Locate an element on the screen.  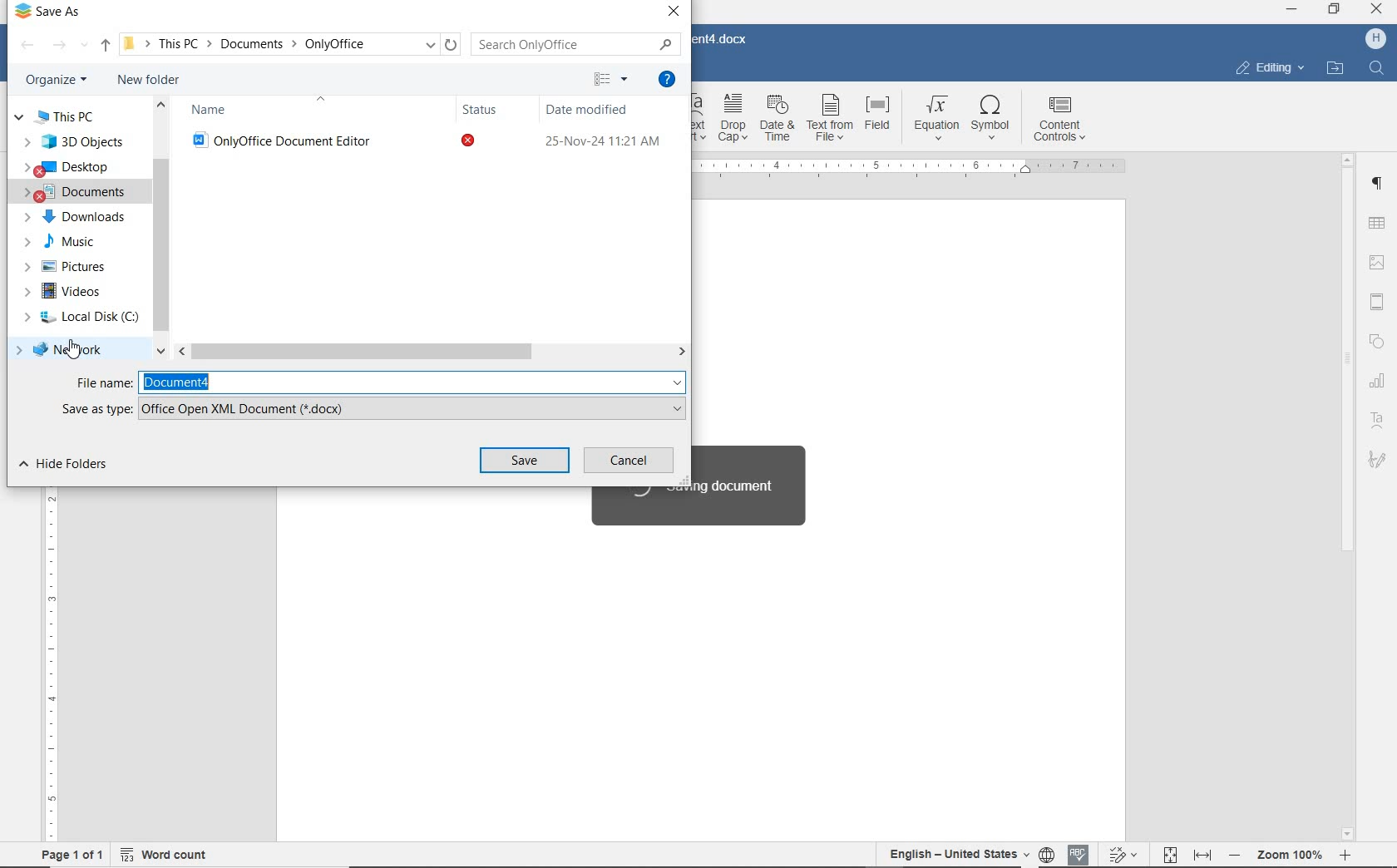
chart is located at coordinates (1379, 382).